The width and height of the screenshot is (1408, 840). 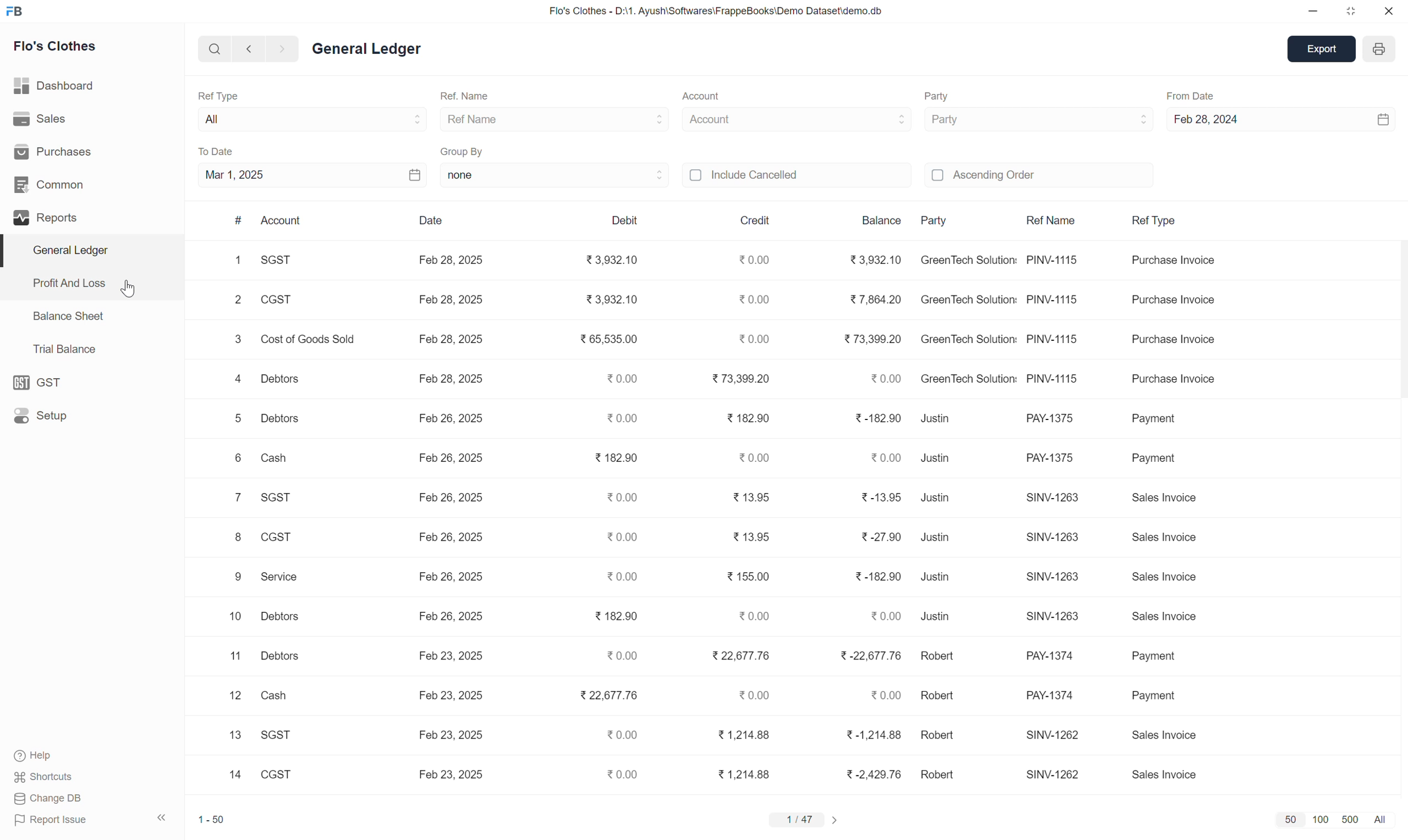 I want to click on ₹0.00, so click(x=760, y=694).